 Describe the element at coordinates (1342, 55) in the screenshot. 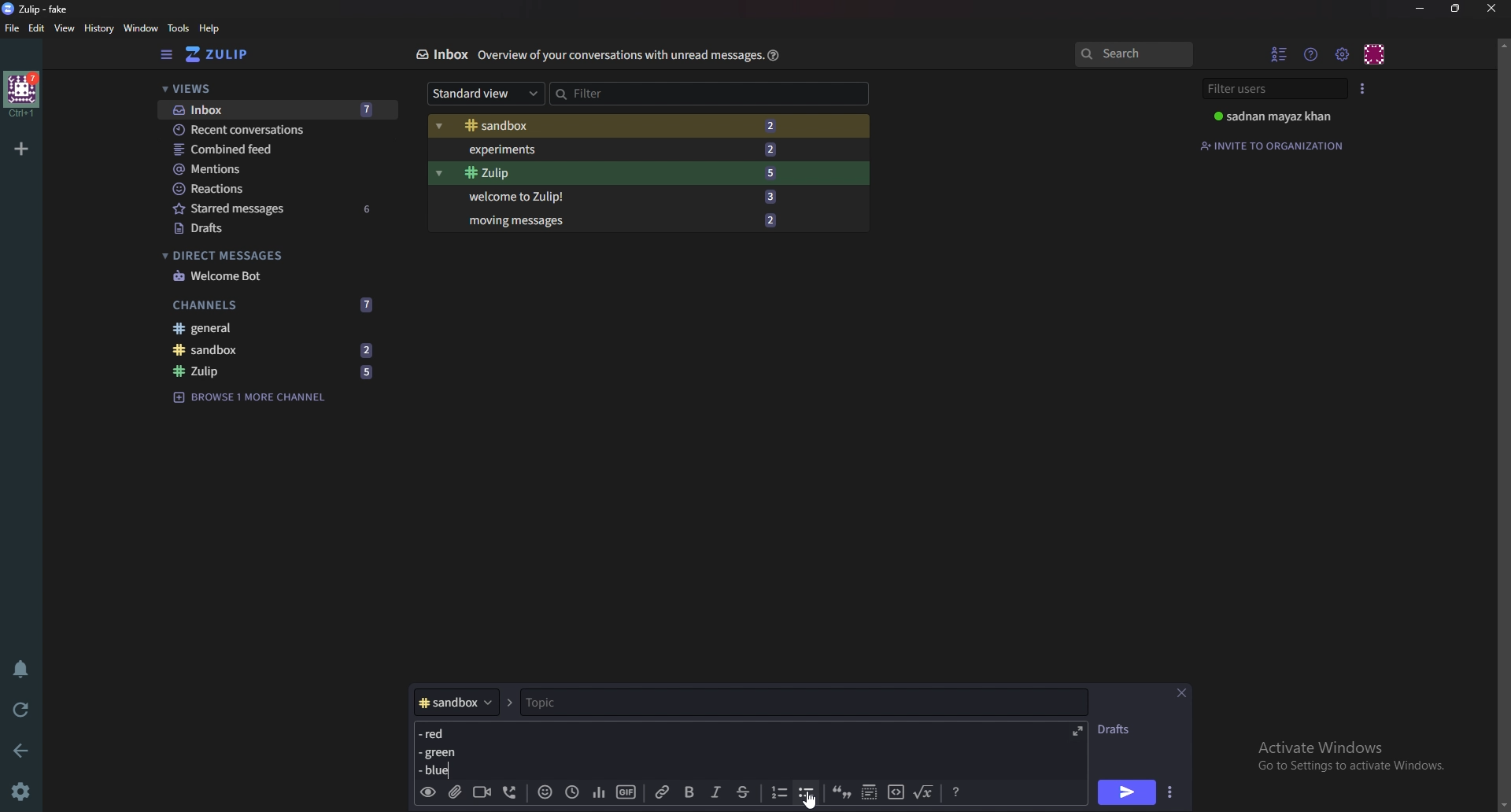

I see `Main menu` at that location.